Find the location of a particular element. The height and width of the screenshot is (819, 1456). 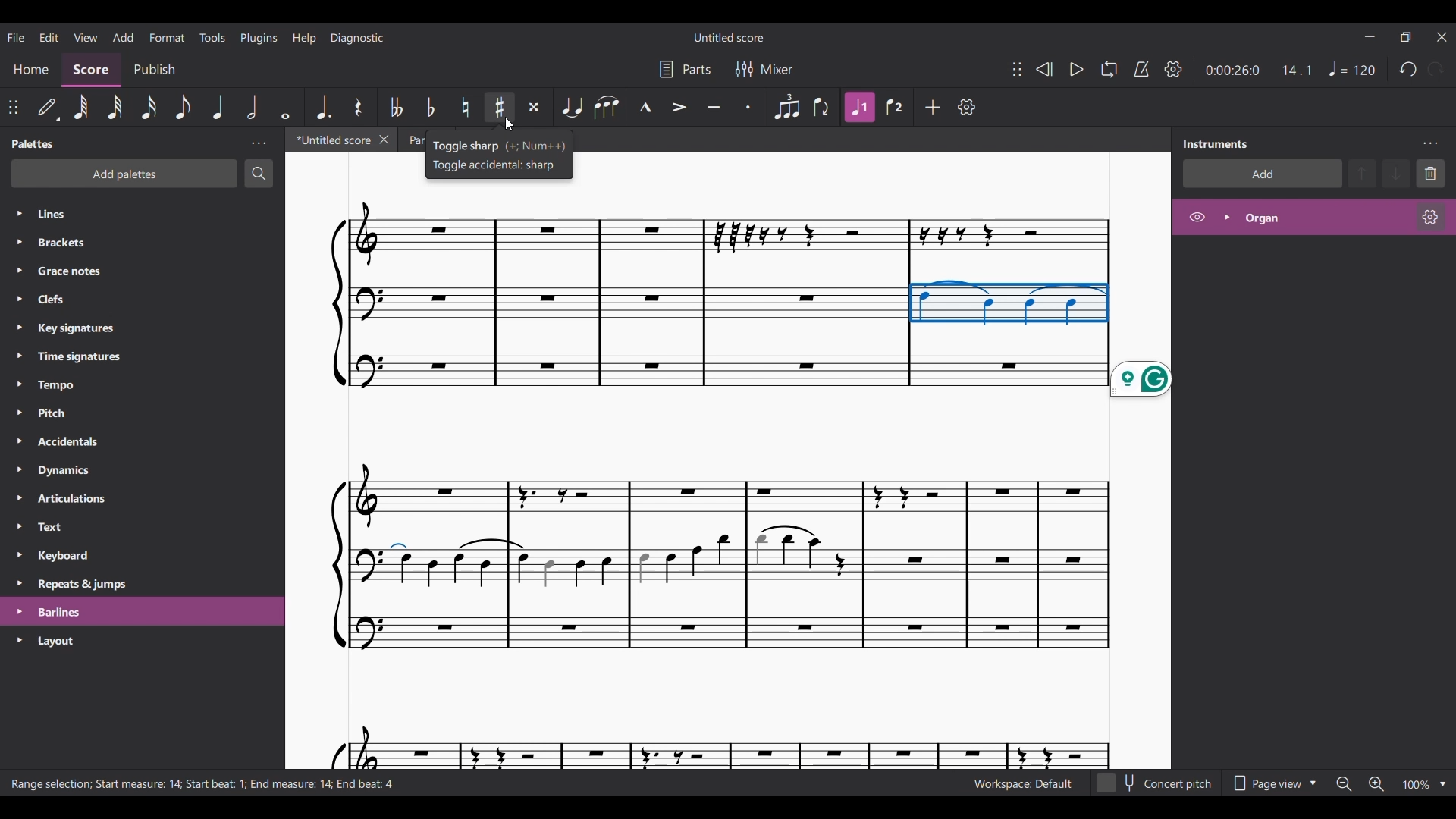

Default is located at coordinates (47, 106).